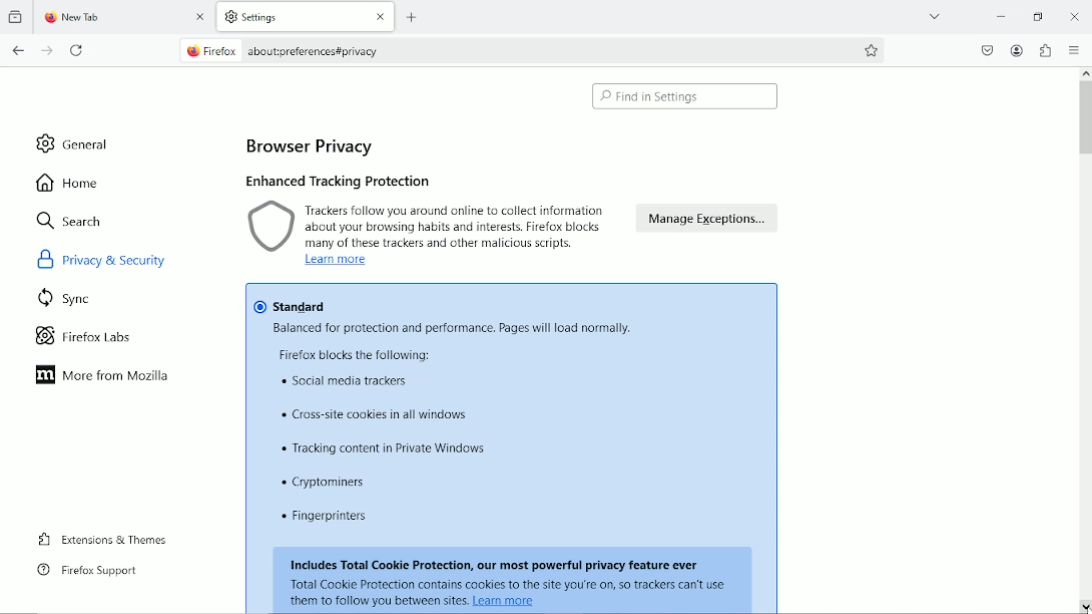 The image size is (1092, 614). Describe the element at coordinates (377, 449) in the screenshot. I see `« Tracking content in Private Windows` at that location.